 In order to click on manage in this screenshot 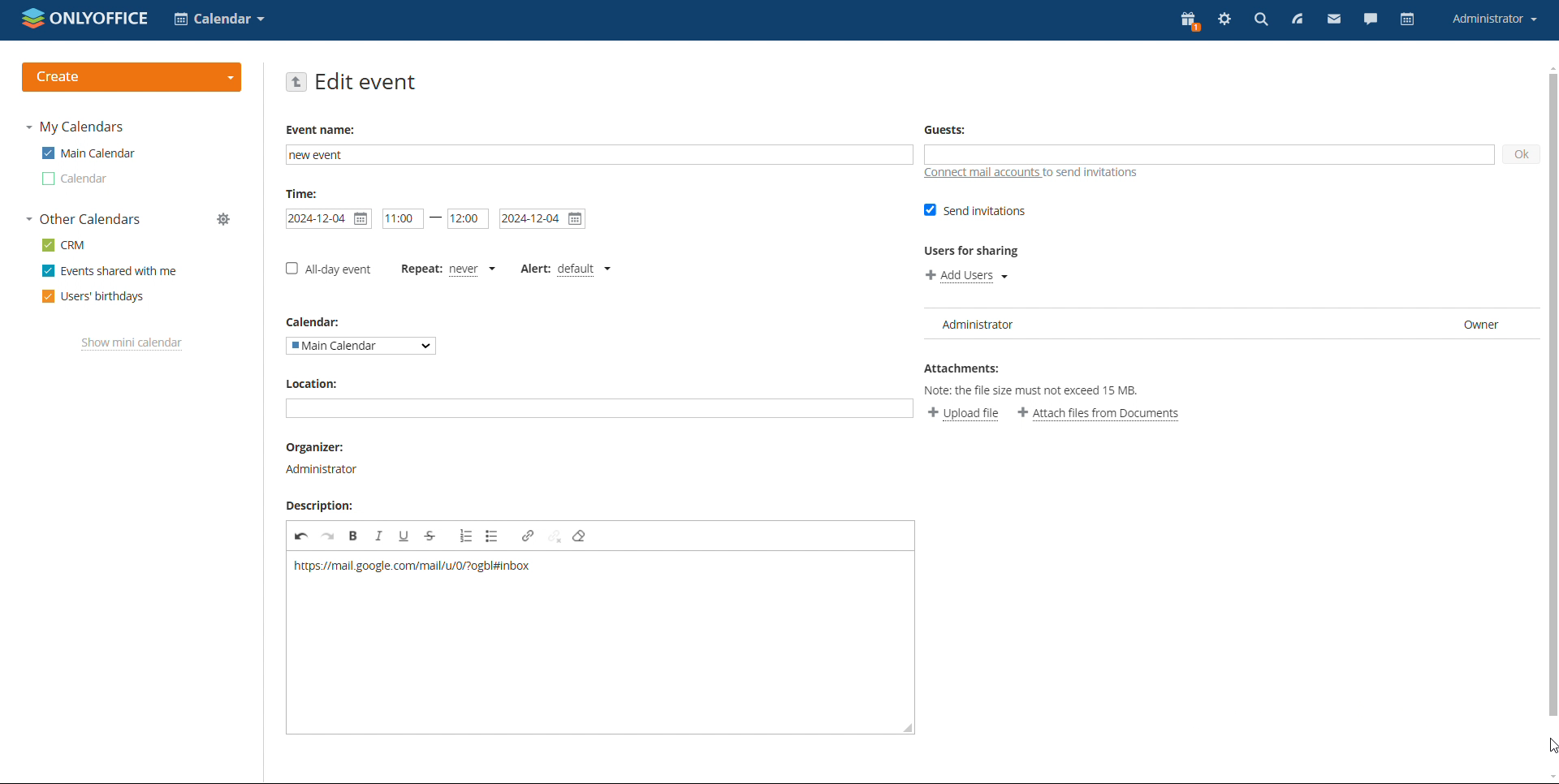, I will do `click(225, 220)`.